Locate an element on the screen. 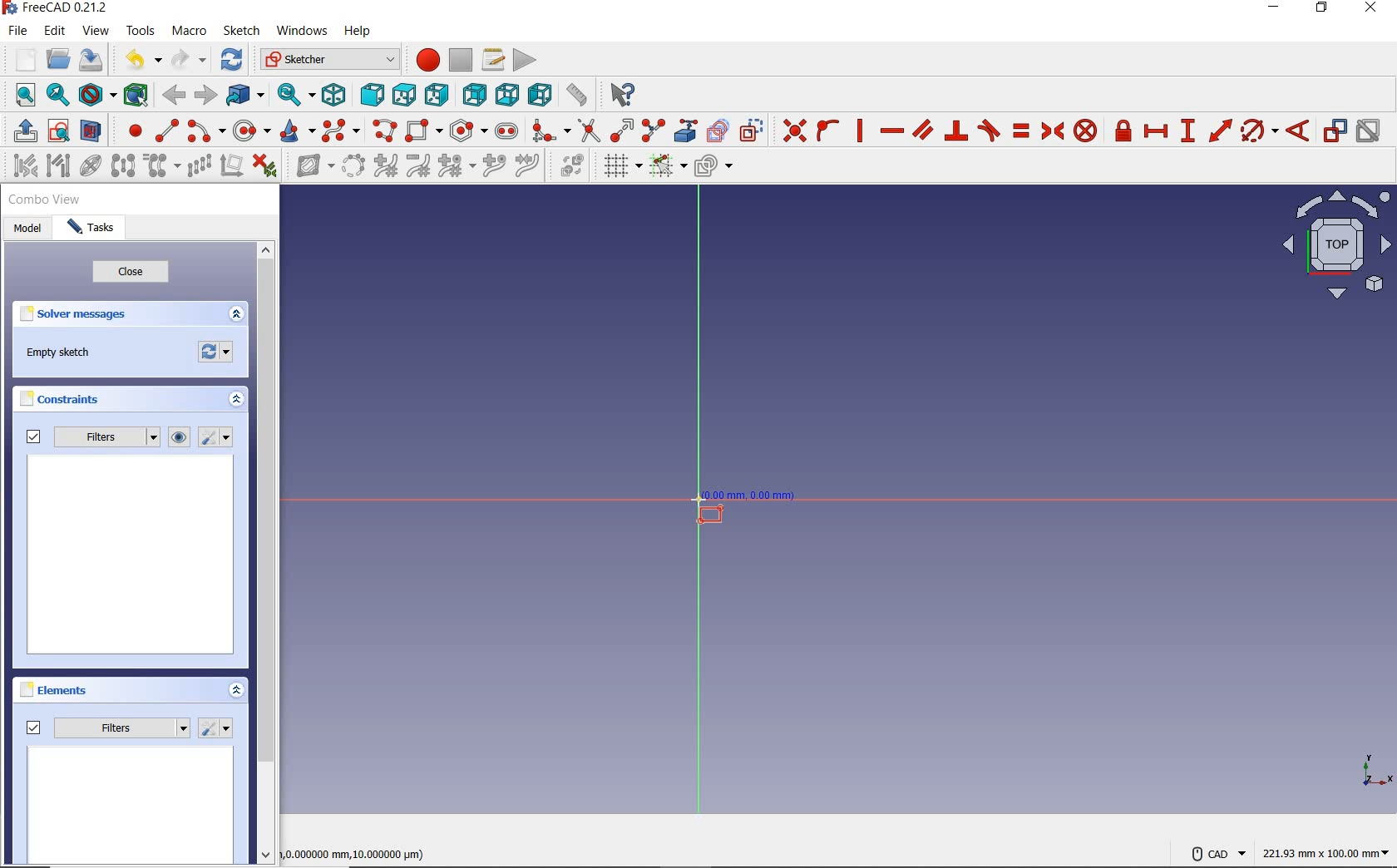  macros is located at coordinates (493, 60).